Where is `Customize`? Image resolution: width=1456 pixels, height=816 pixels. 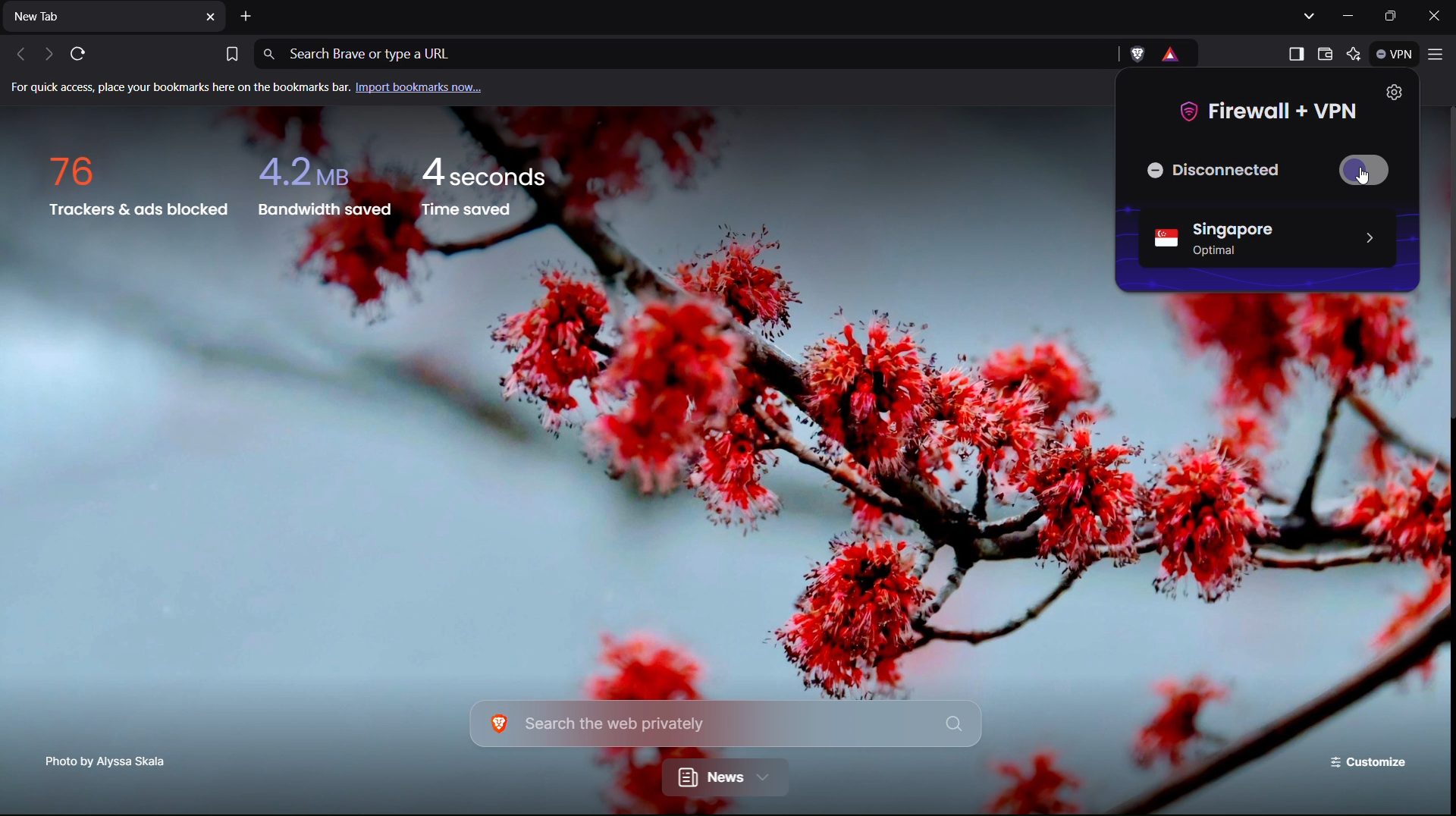 Customize is located at coordinates (1367, 760).